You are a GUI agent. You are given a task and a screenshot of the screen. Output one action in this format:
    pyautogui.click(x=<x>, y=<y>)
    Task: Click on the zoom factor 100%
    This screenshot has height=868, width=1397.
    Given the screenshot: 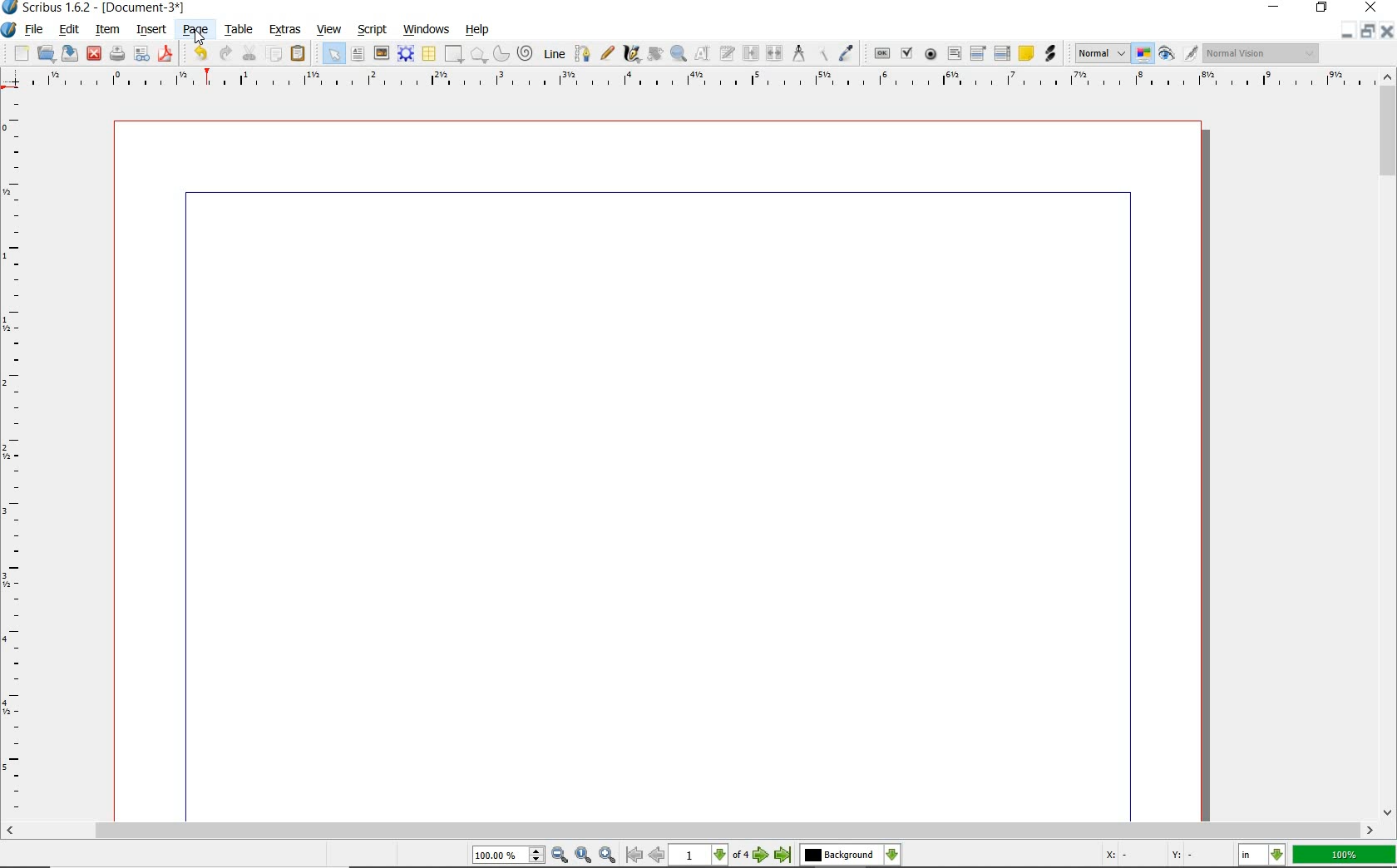 What is the action you would take?
    pyautogui.click(x=1345, y=856)
    